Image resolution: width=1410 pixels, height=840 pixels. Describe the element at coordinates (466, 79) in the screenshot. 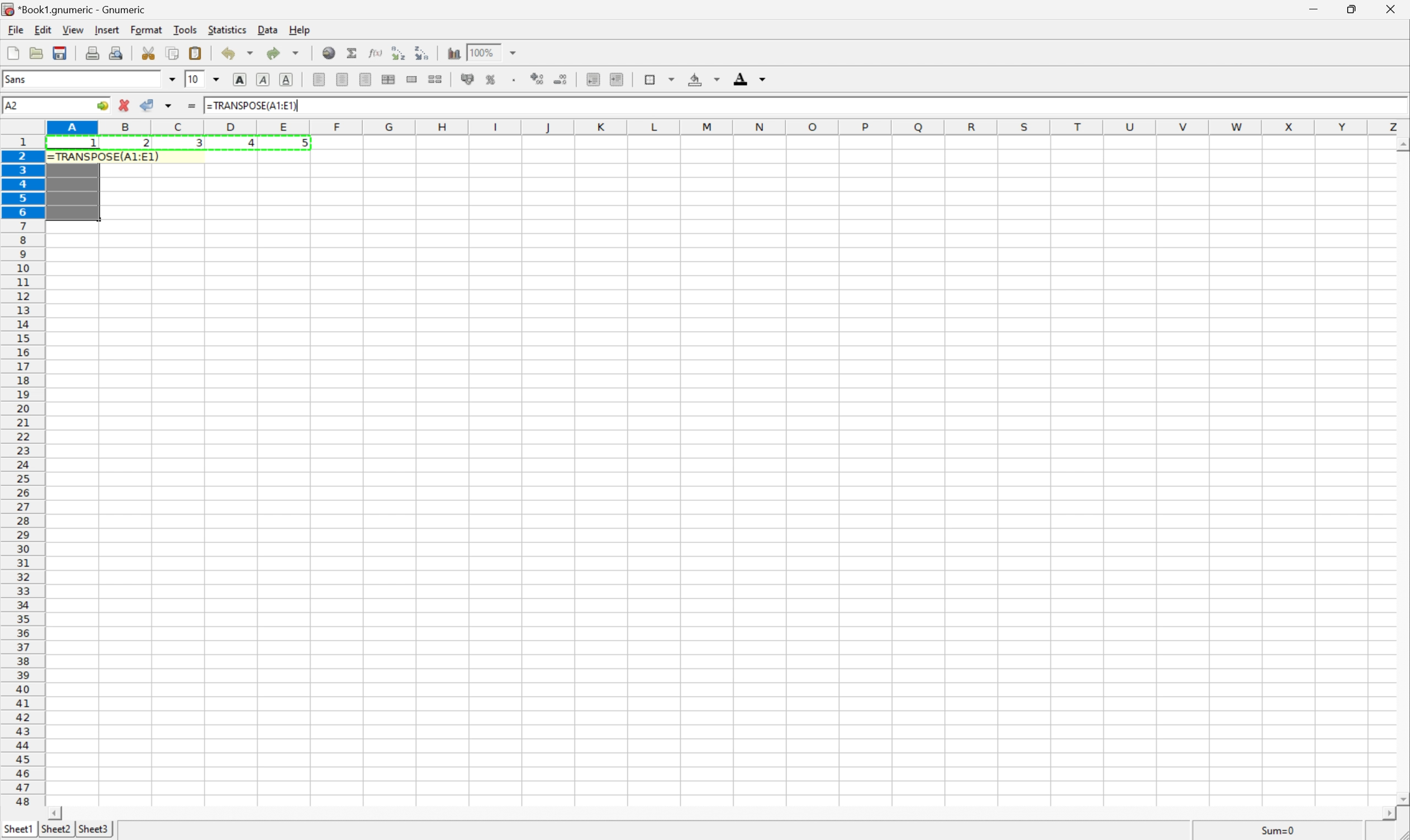

I see `format selection as accounting` at that location.